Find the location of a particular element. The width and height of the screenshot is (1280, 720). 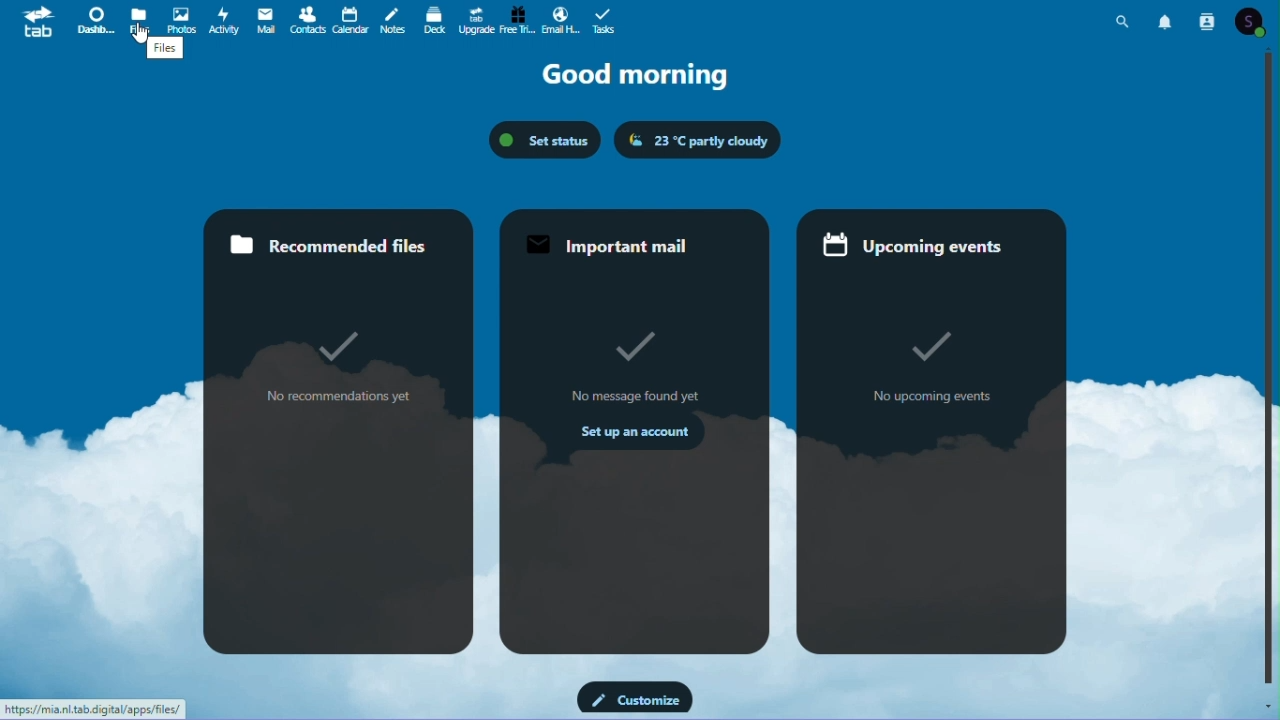

cursor is located at coordinates (142, 34).